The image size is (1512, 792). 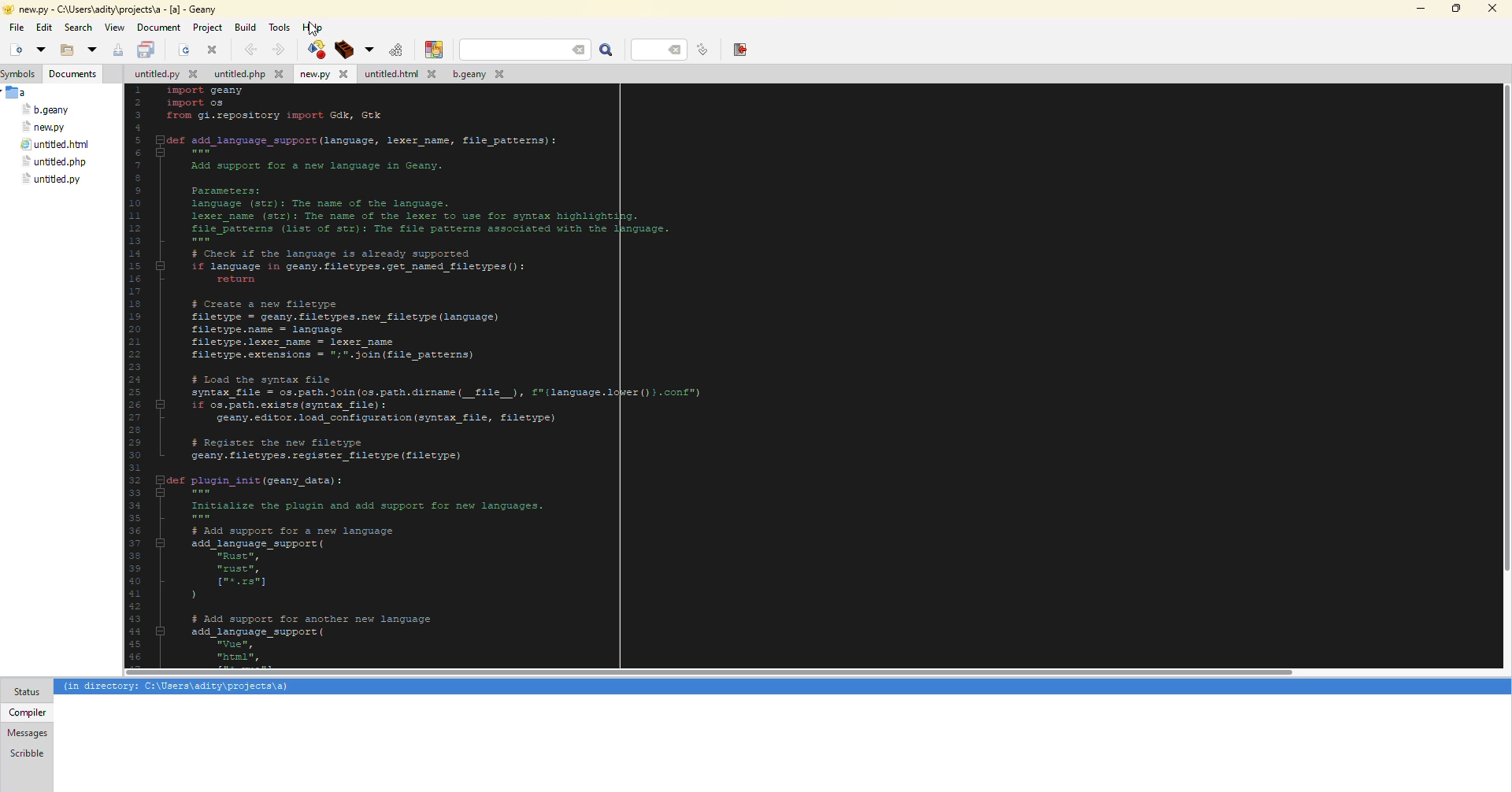 I want to click on file, so click(x=45, y=127).